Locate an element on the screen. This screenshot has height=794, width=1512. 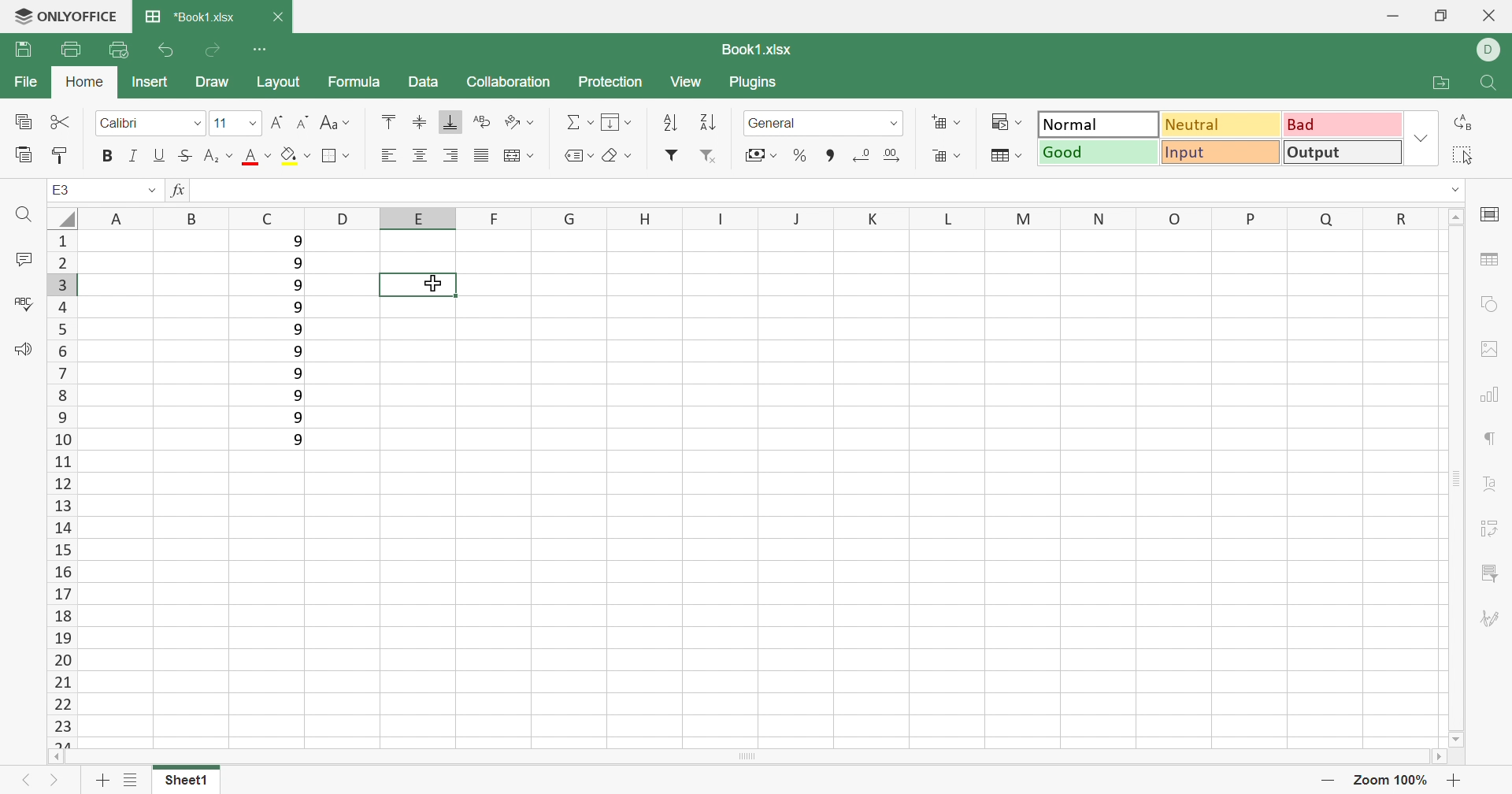
9 is located at coordinates (296, 375).